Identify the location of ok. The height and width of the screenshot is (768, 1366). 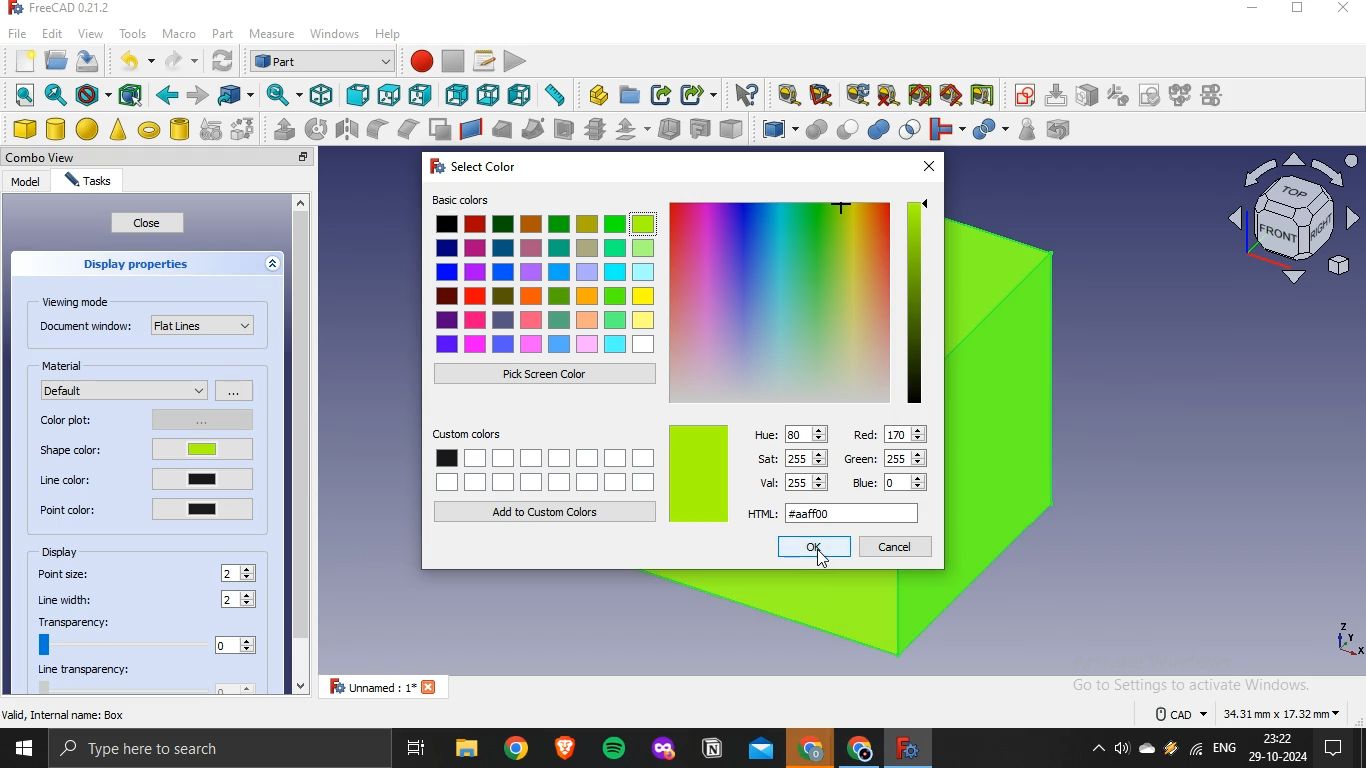
(814, 546).